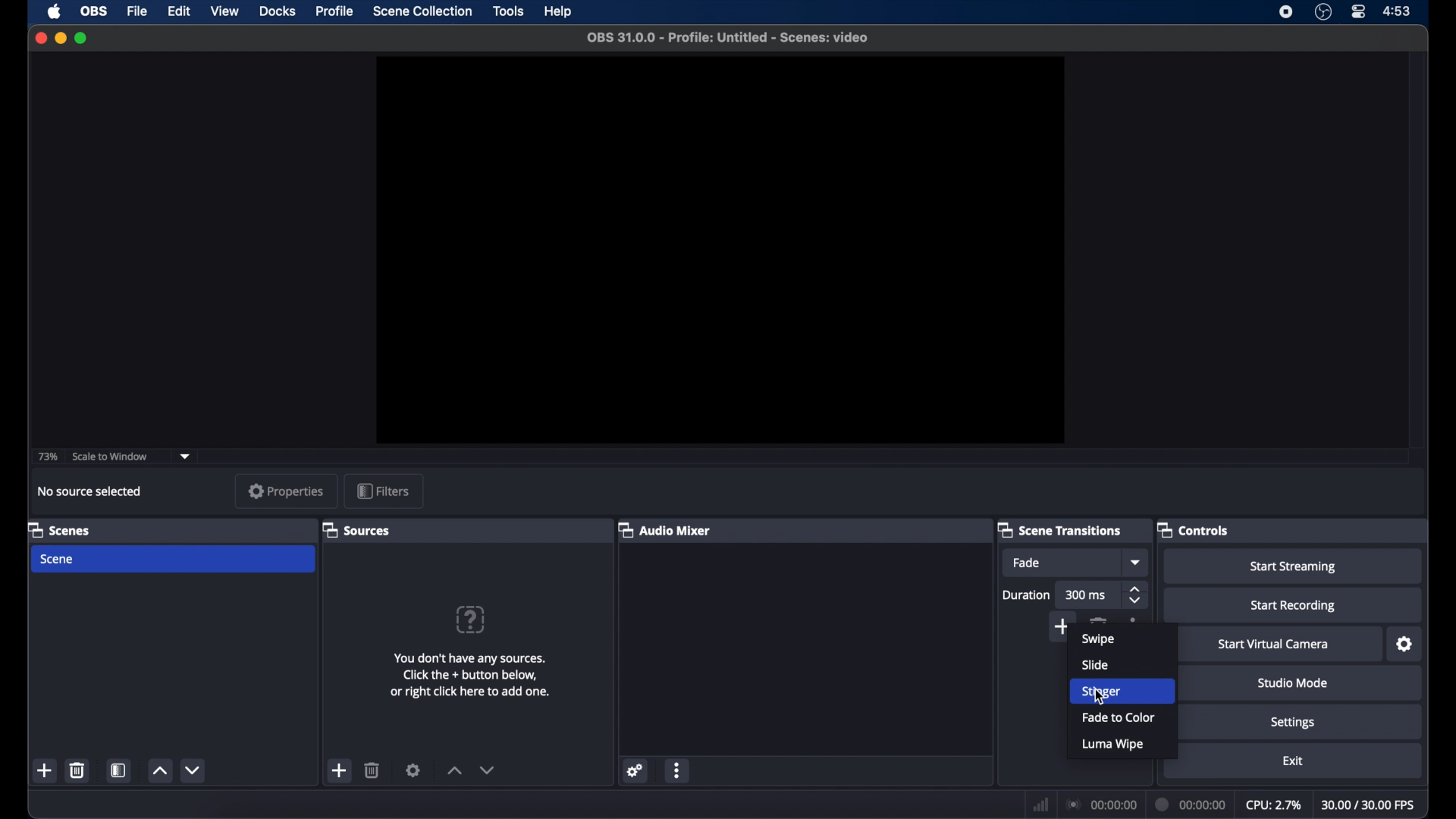 This screenshot has height=819, width=1456. Describe the element at coordinates (1405, 644) in the screenshot. I see `settings` at that location.